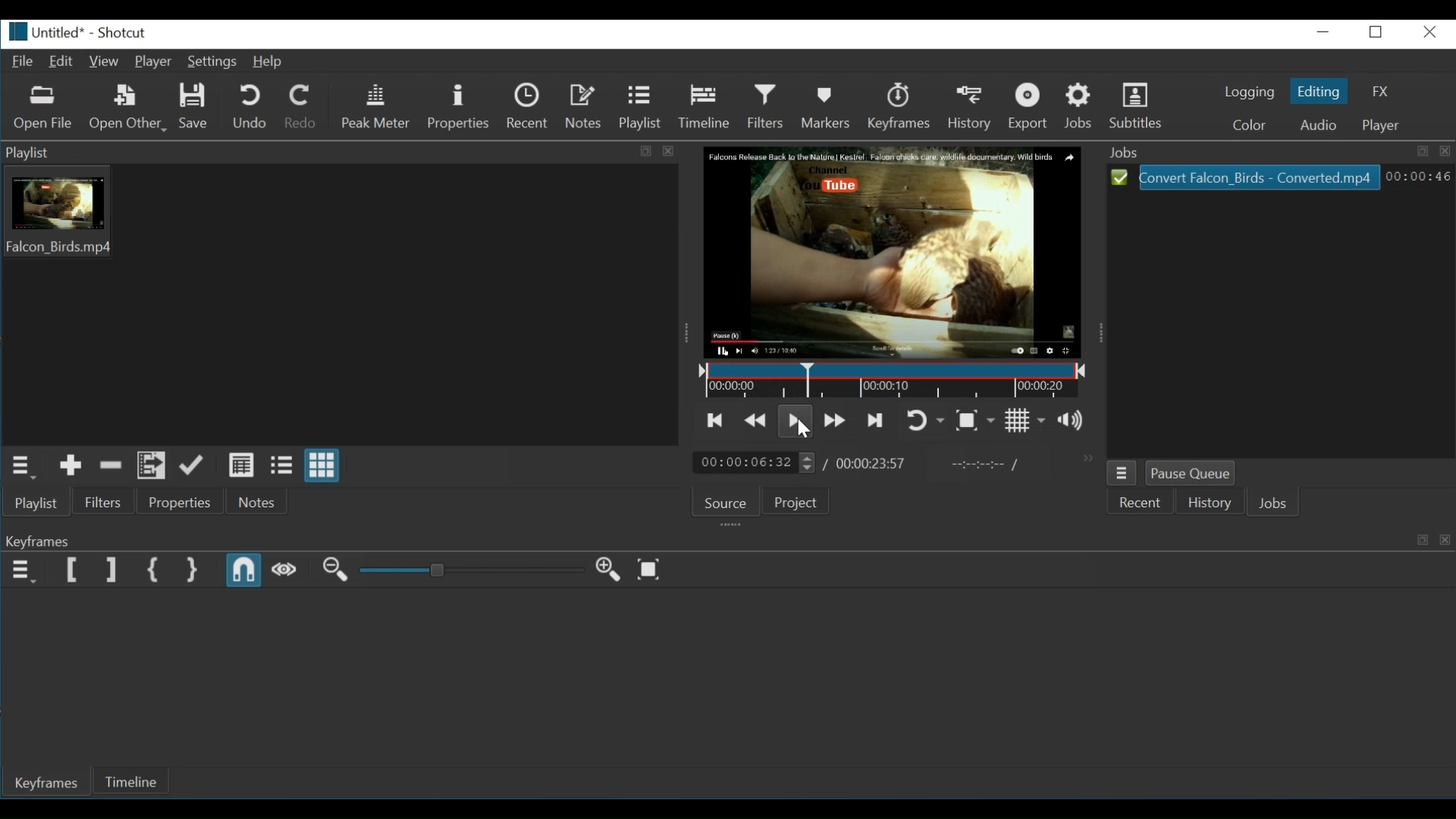 The image size is (1456, 819). What do you see at coordinates (335, 571) in the screenshot?
I see `Zoom in` at bounding box center [335, 571].